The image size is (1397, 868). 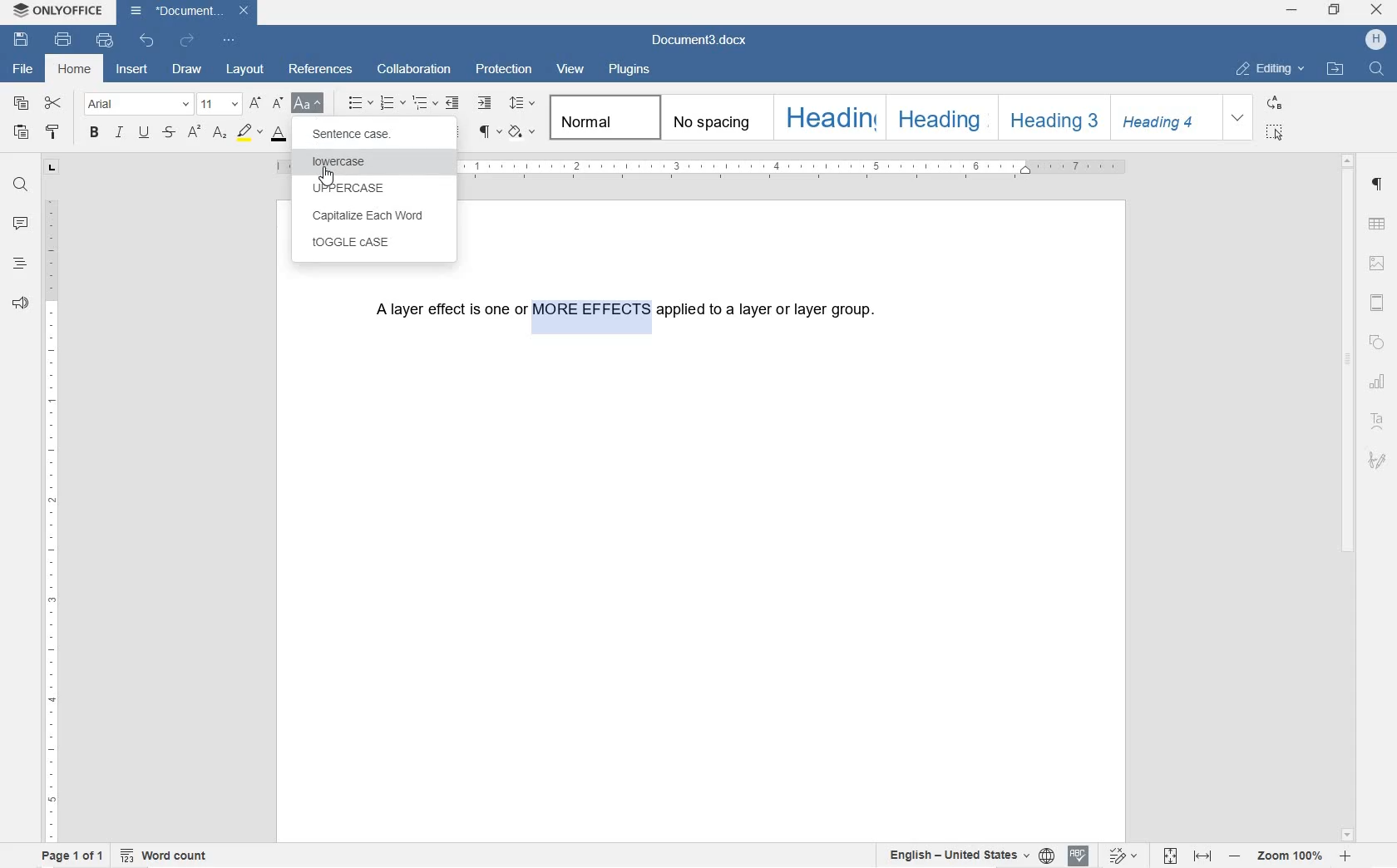 What do you see at coordinates (488, 132) in the screenshot?
I see `NONPRINTING CHARACTERS` at bounding box center [488, 132].